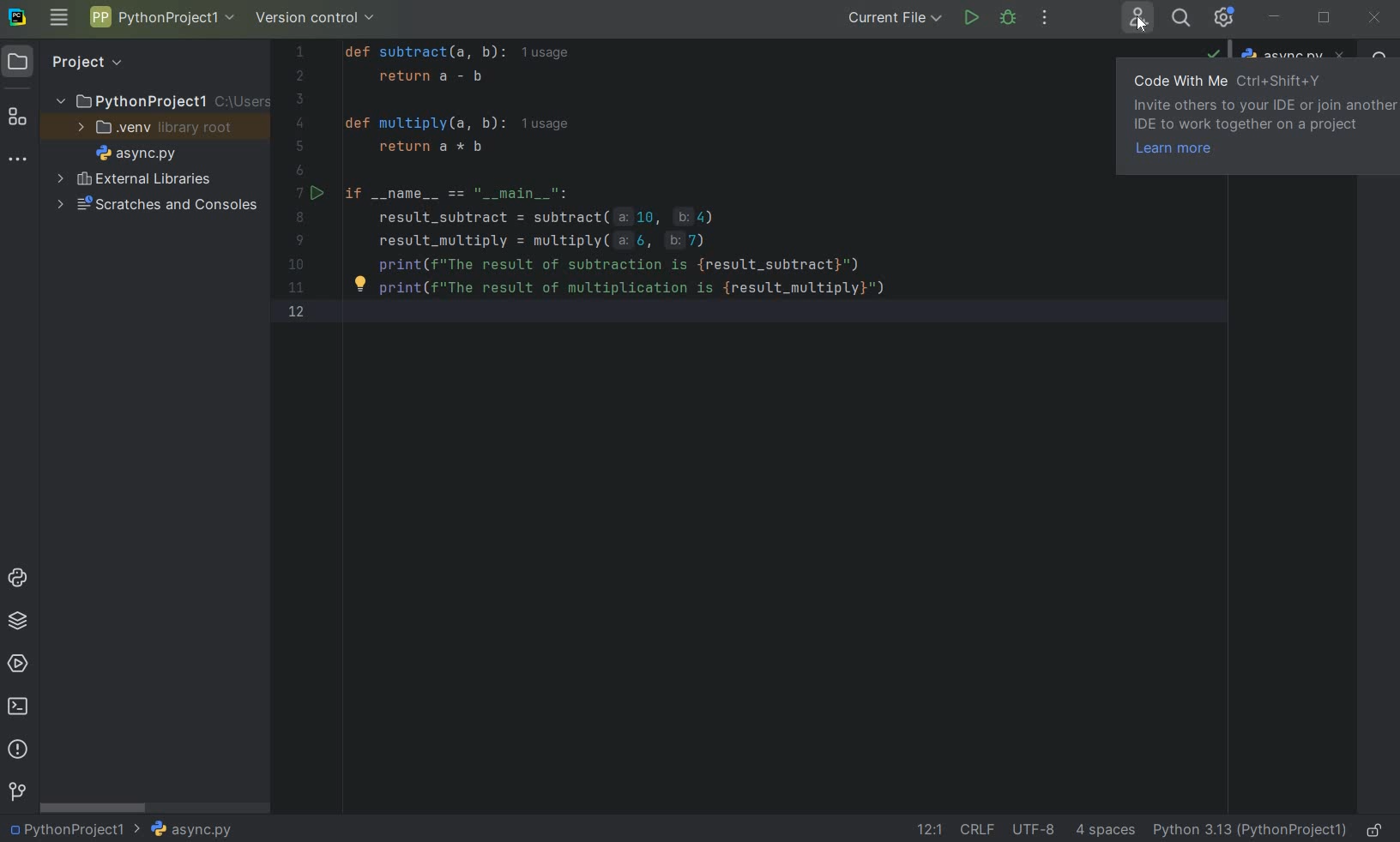 Image resolution: width=1400 pixels, height=842 pixels. I want to click on SERVICES, so click(18, 665).